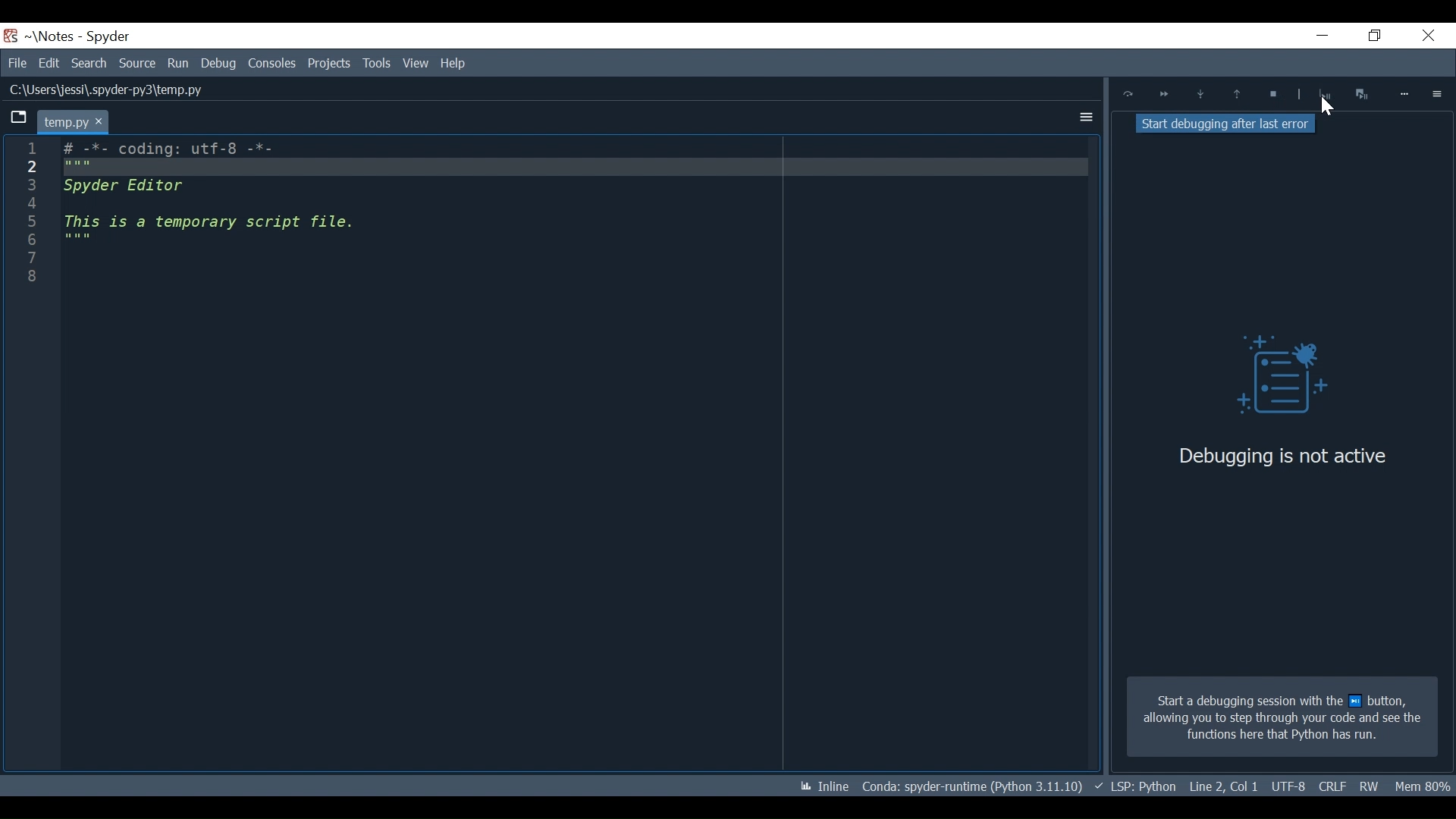  What do you see at coordinates (1370, 36) in the screenshot?
I see `Restore` at bounding box center [1370, 36].